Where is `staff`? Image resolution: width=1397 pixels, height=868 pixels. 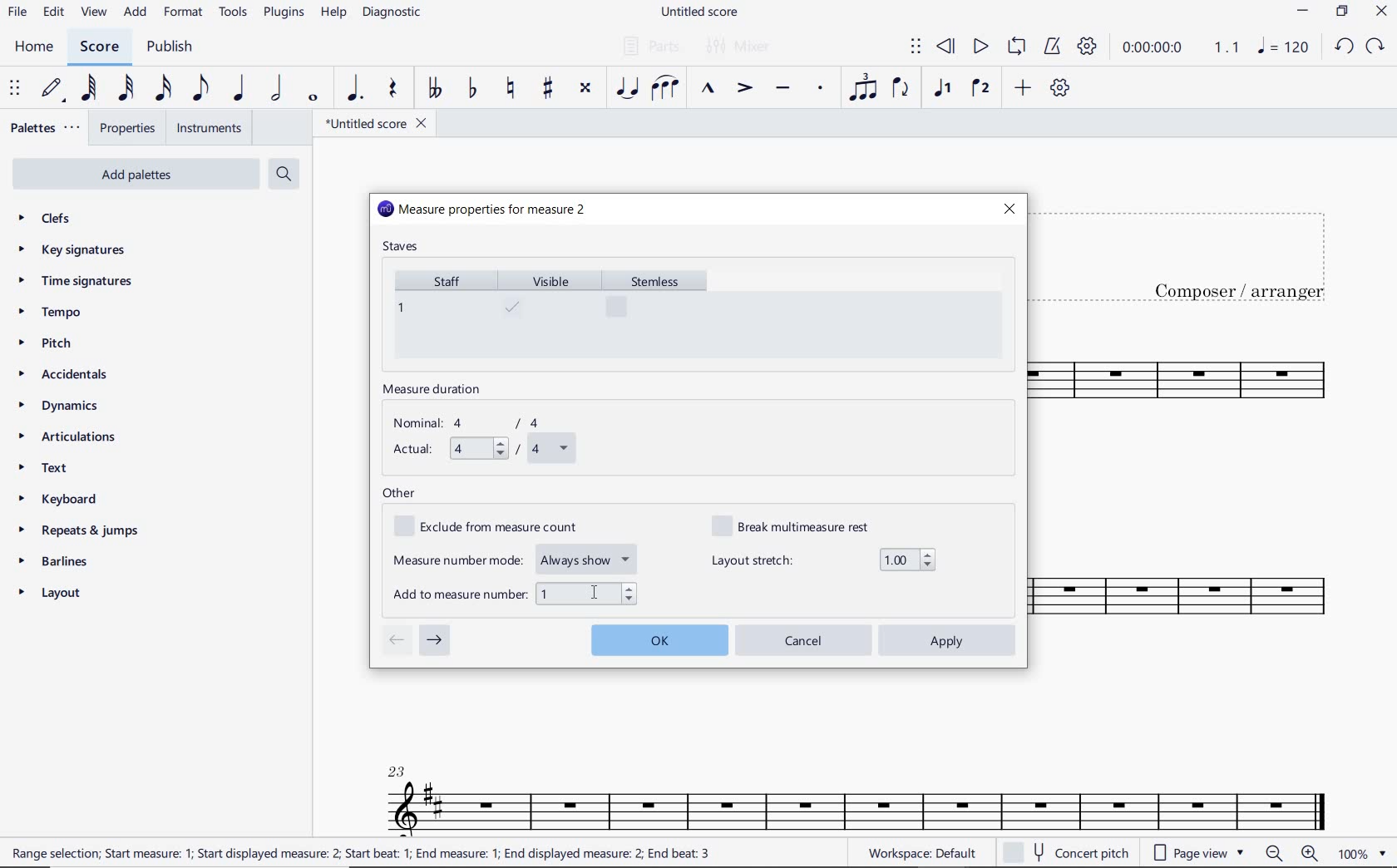
staff is located at coordinates (441, 313).